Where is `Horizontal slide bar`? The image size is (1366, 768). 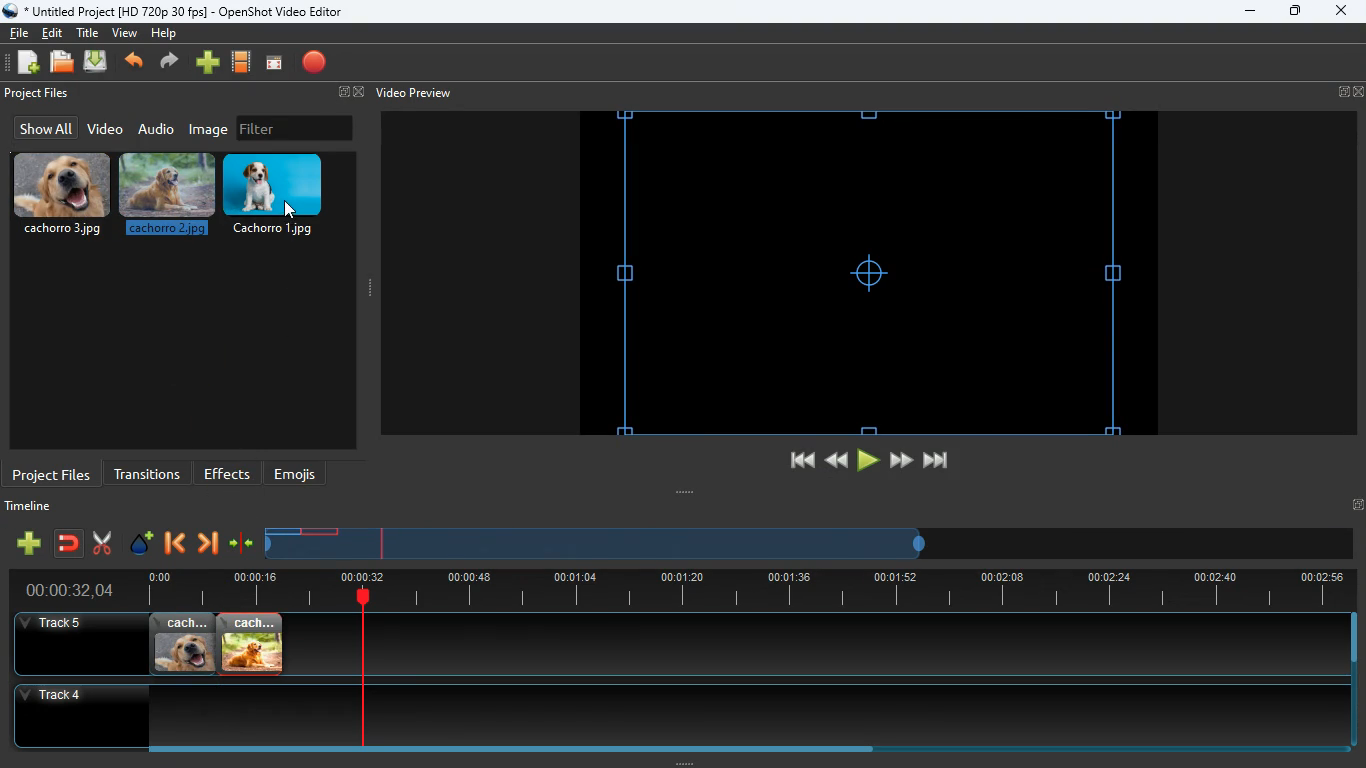 Horizontal slide bar is located at coordinates (735, 749).